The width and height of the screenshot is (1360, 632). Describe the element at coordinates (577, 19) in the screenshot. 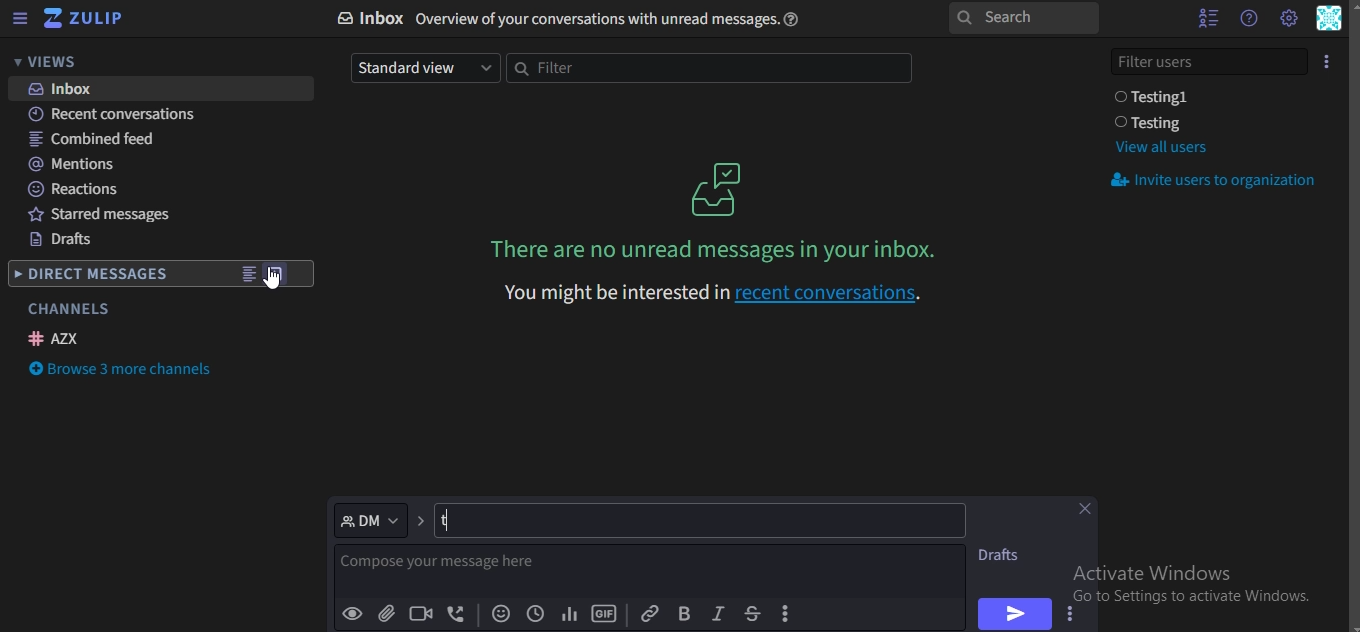

I see `text` at that location.